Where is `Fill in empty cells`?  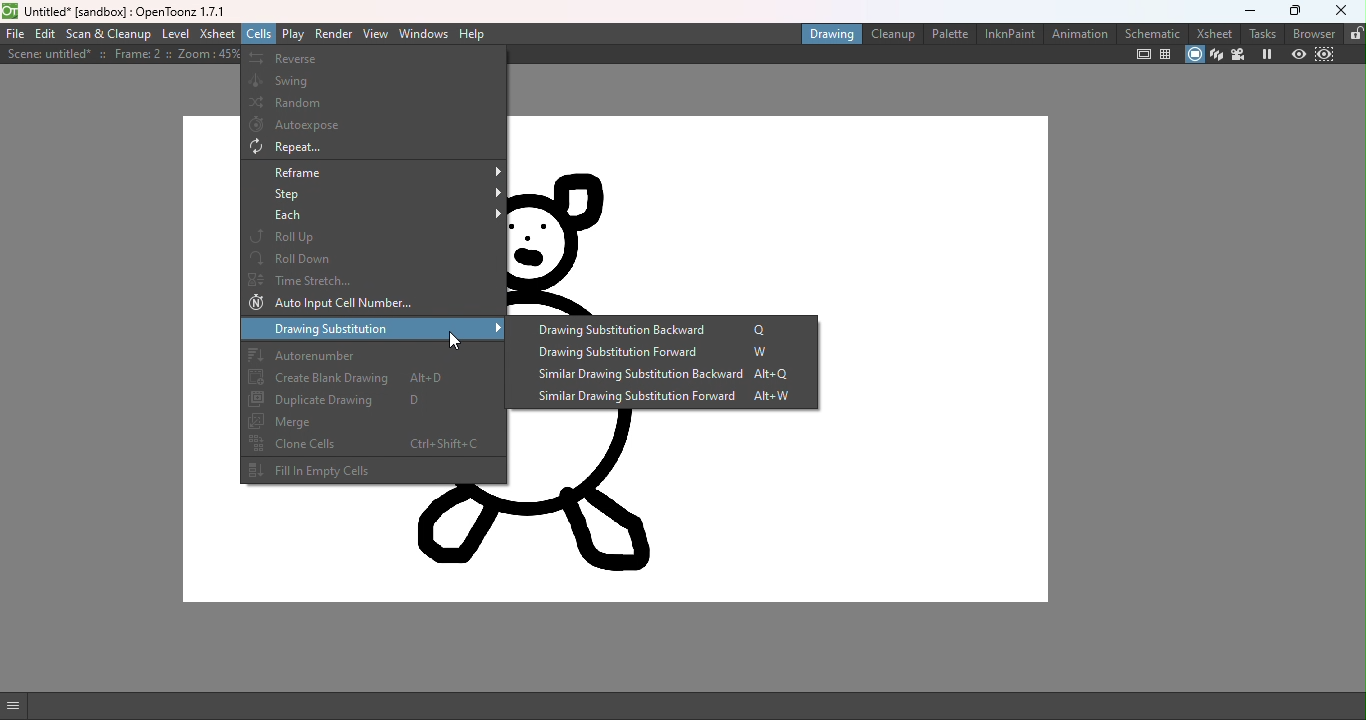
Fill in empty cells is located at coordinates (371, 471).